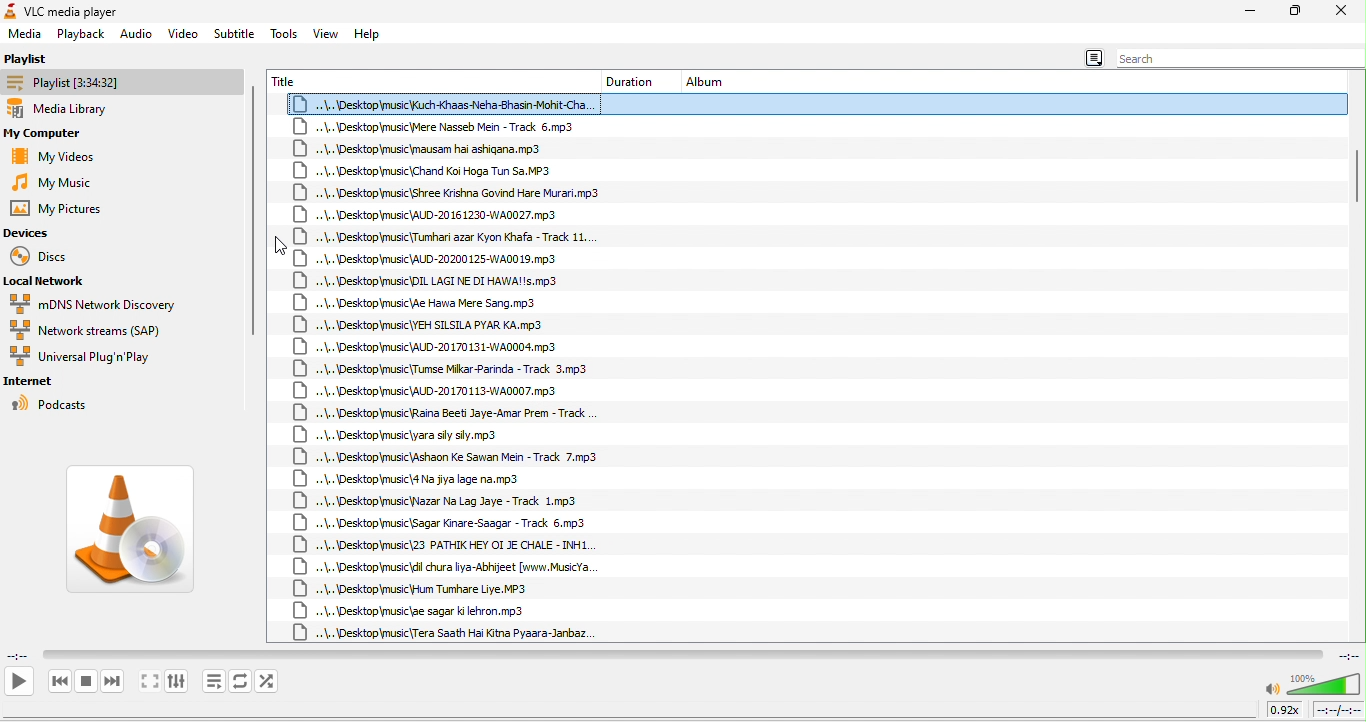 Image resolution: width=1366 pixels, height=722 pixels. Describe the element at coordinates (369, 34) in the screenshot. I see `help` at that location.